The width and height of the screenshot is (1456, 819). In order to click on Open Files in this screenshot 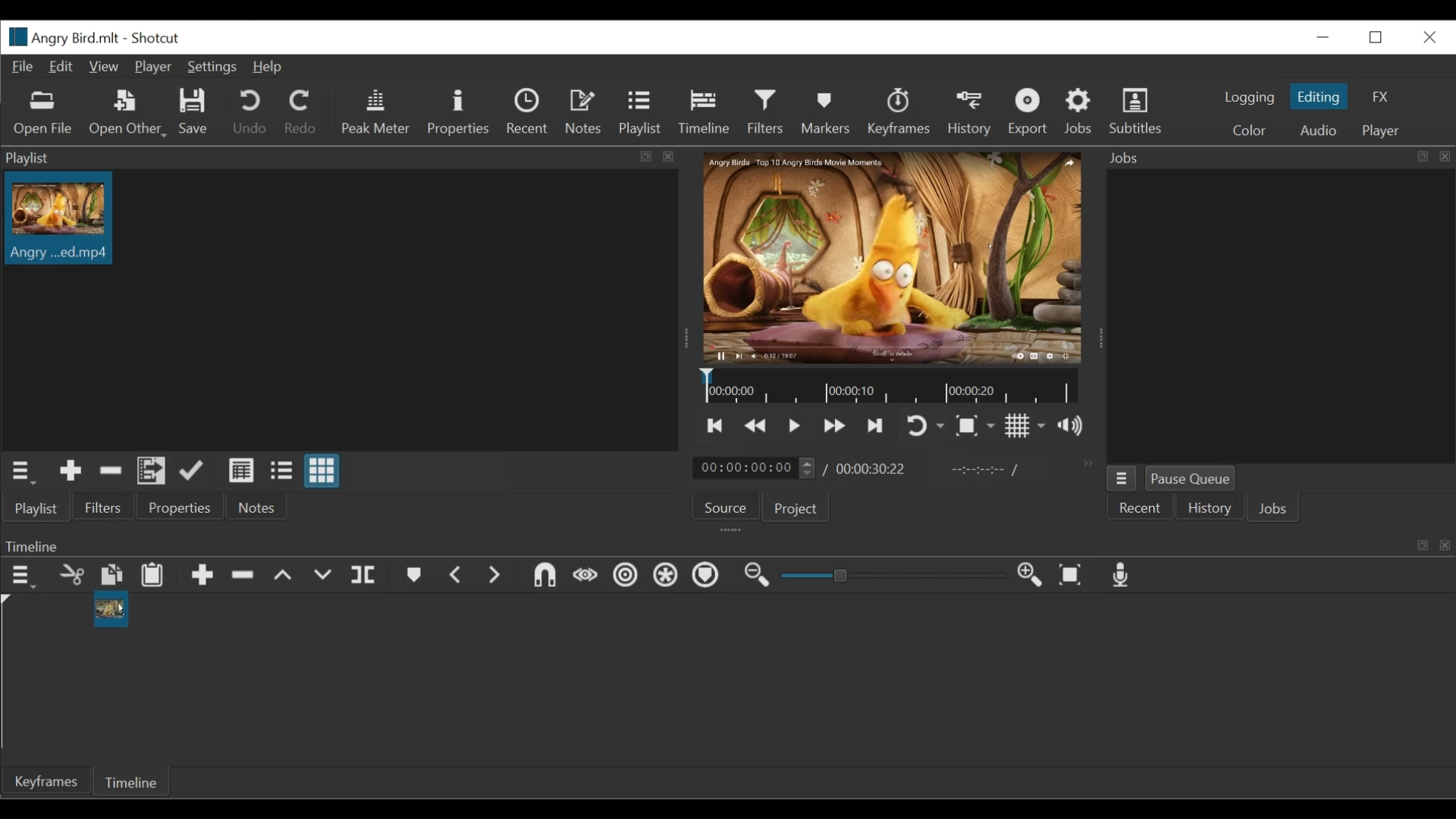, I will do `click(45, 114)`.